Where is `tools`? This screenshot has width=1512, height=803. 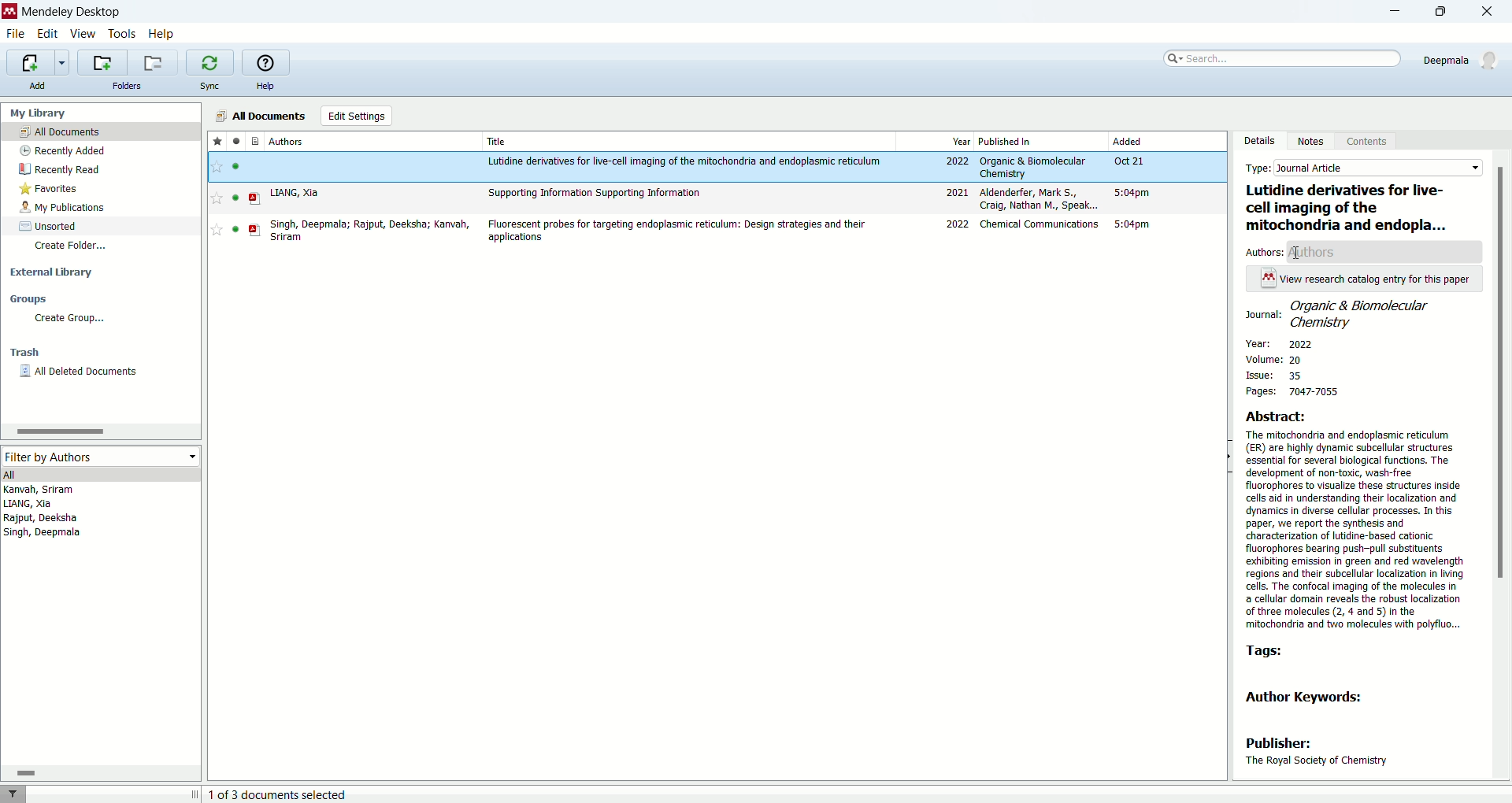 tools is located at coordinates (124, 35).